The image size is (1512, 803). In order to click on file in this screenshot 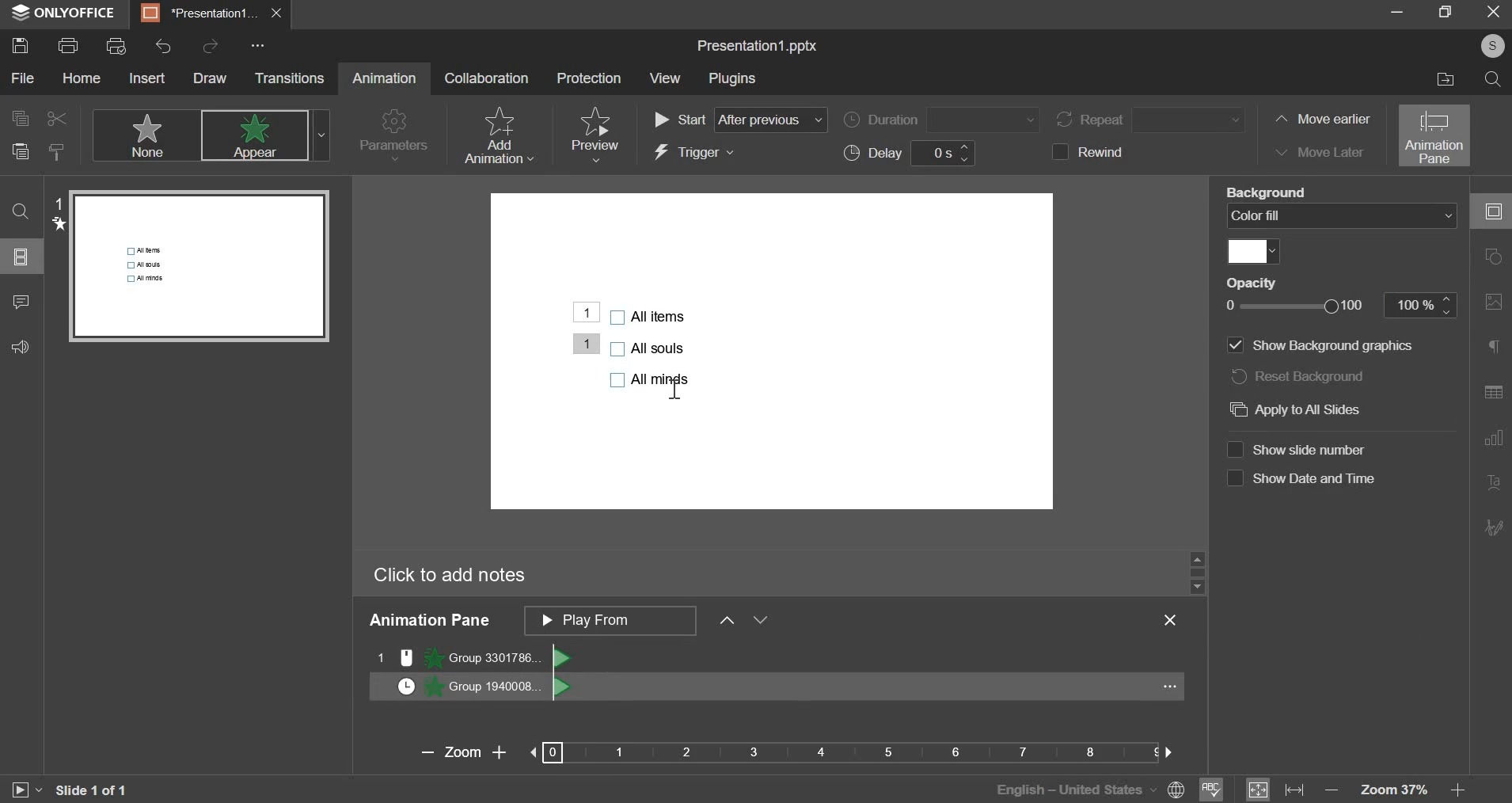, I will do `click(24, 78)`.